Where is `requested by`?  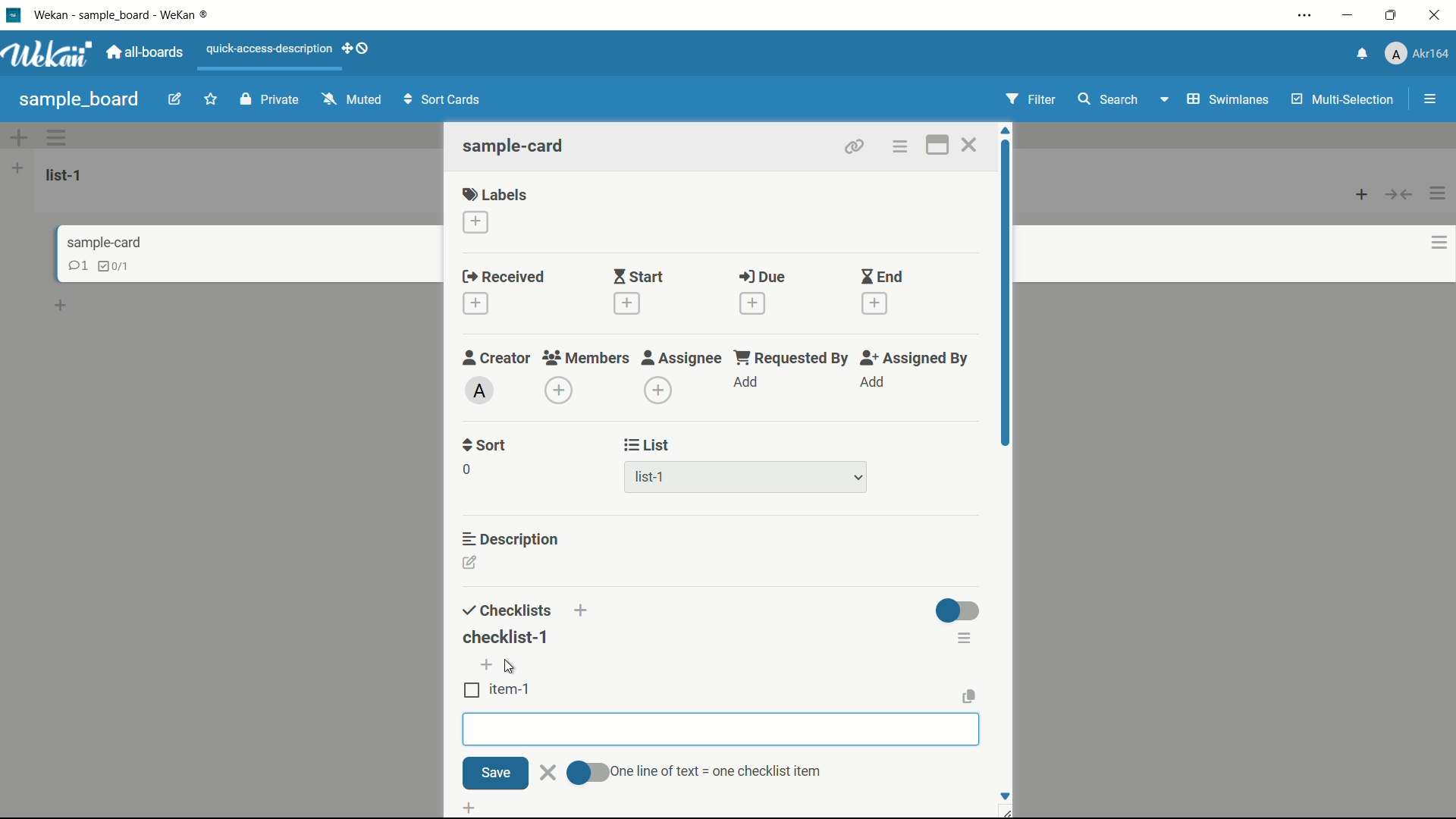 requested by is located at coordinates (792, 358).